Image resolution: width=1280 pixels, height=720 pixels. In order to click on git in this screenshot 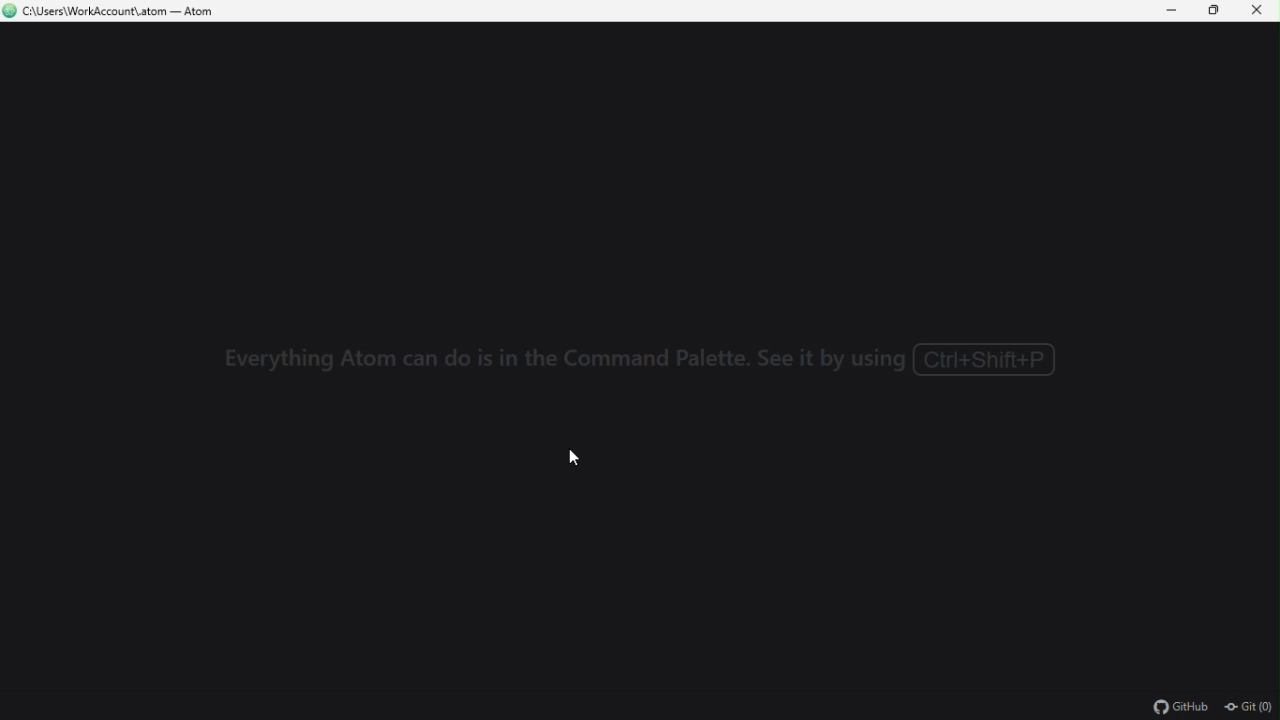, I will do `click(1249, 707)`.